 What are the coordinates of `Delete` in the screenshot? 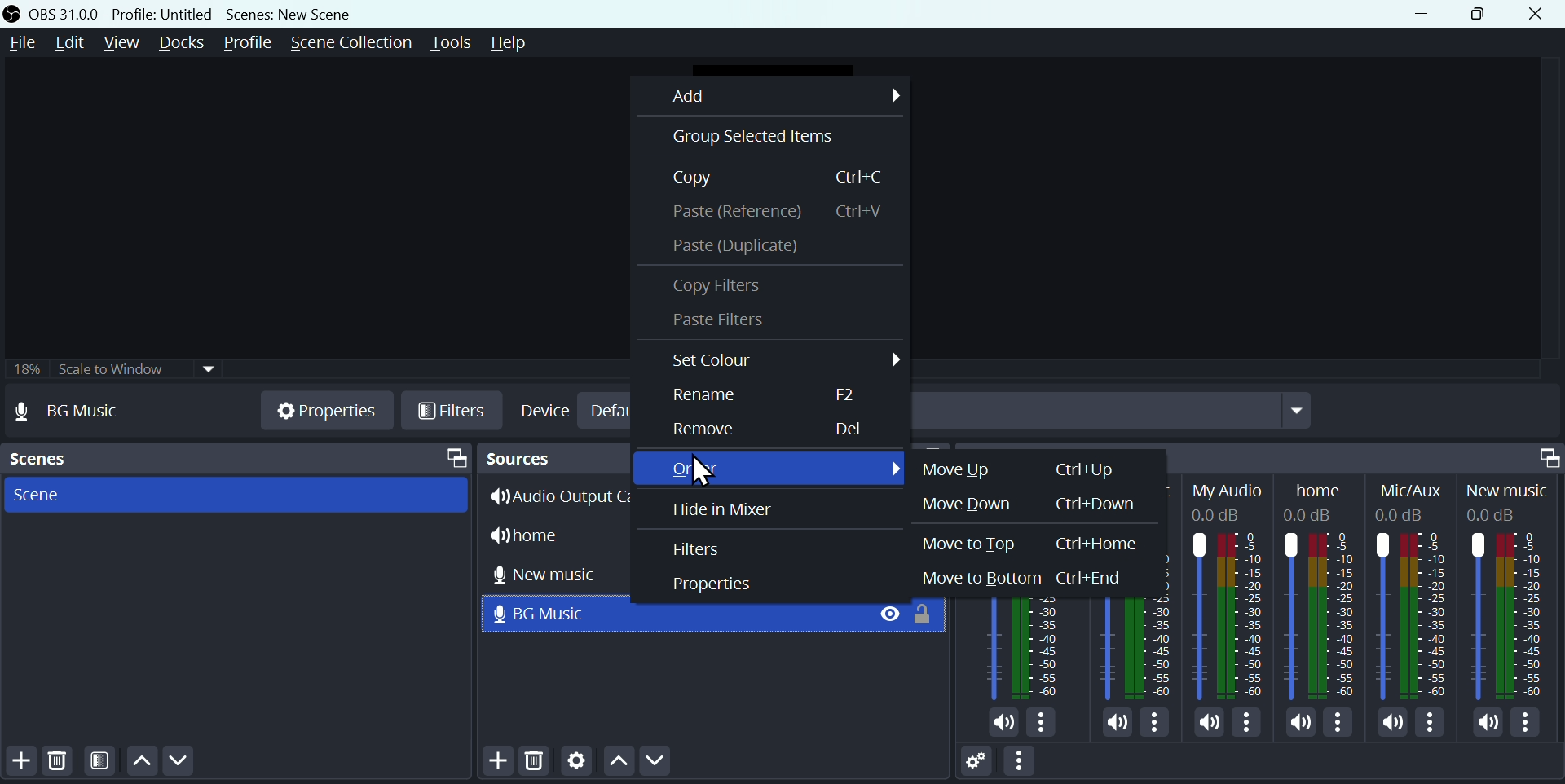 It's located at (55, 764).